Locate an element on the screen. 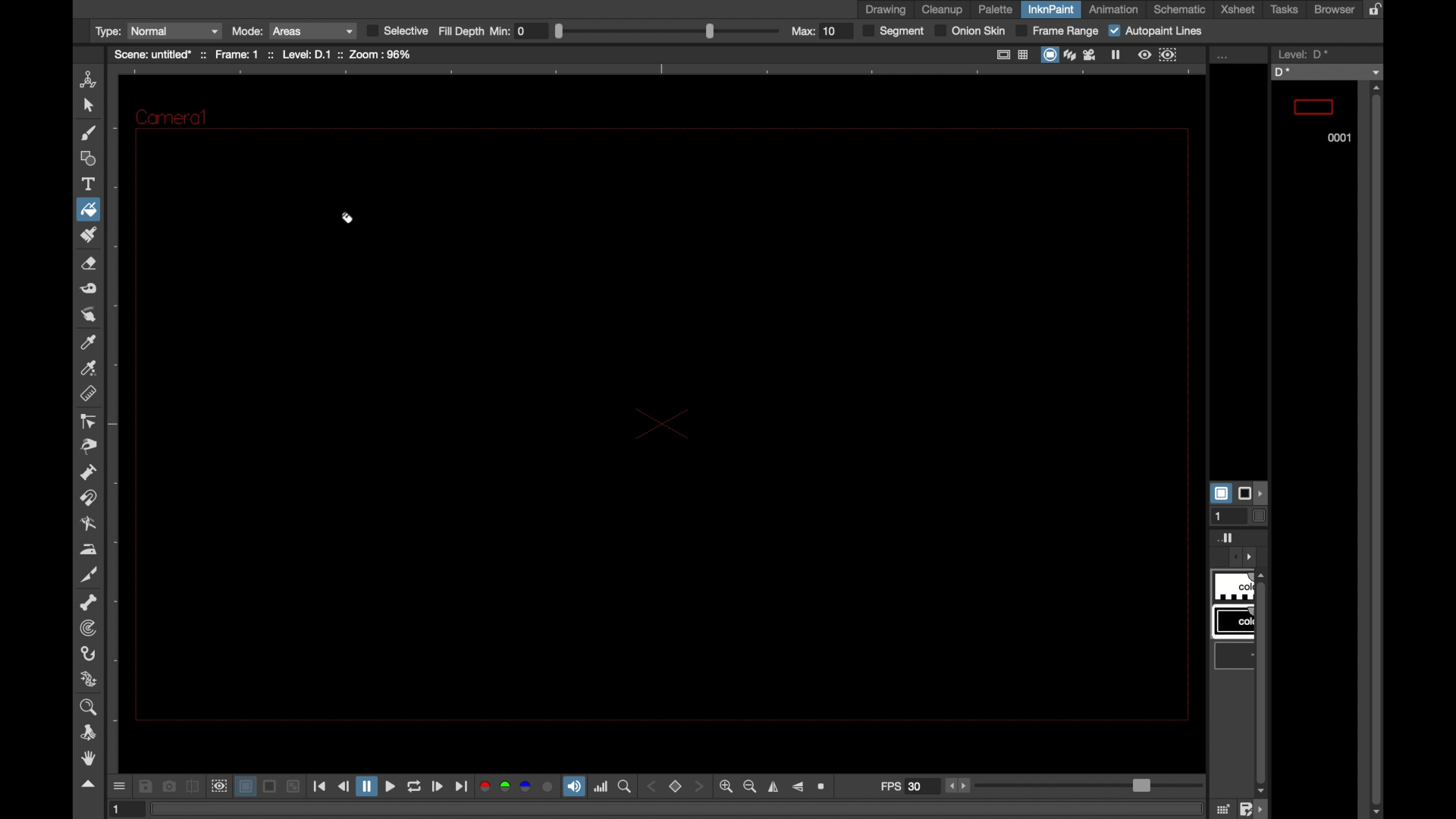 This screenshot has height=819, width=1456. Slider is located at coordinates (667, 30).